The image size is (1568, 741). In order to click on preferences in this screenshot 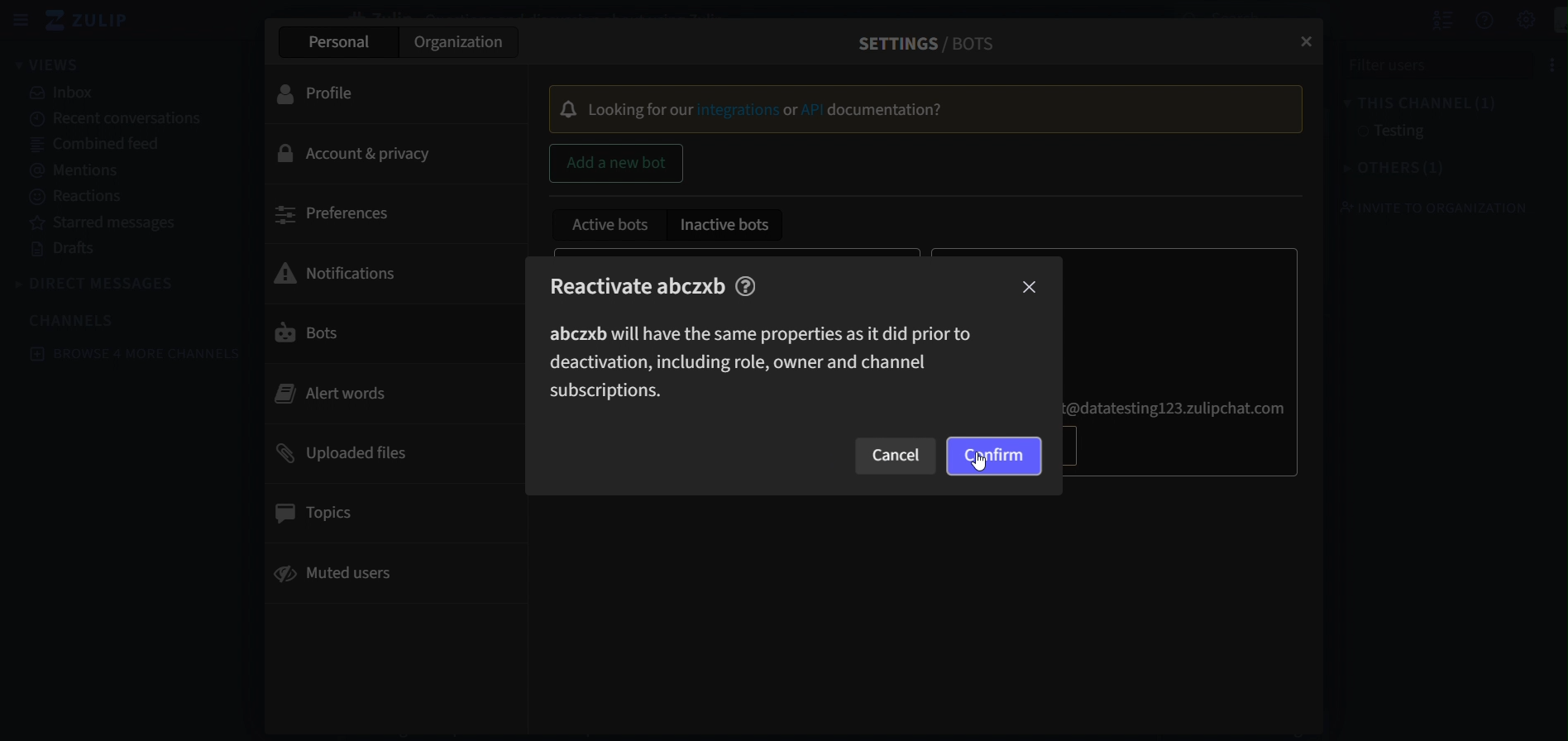, I will do `click(337, 215)`.